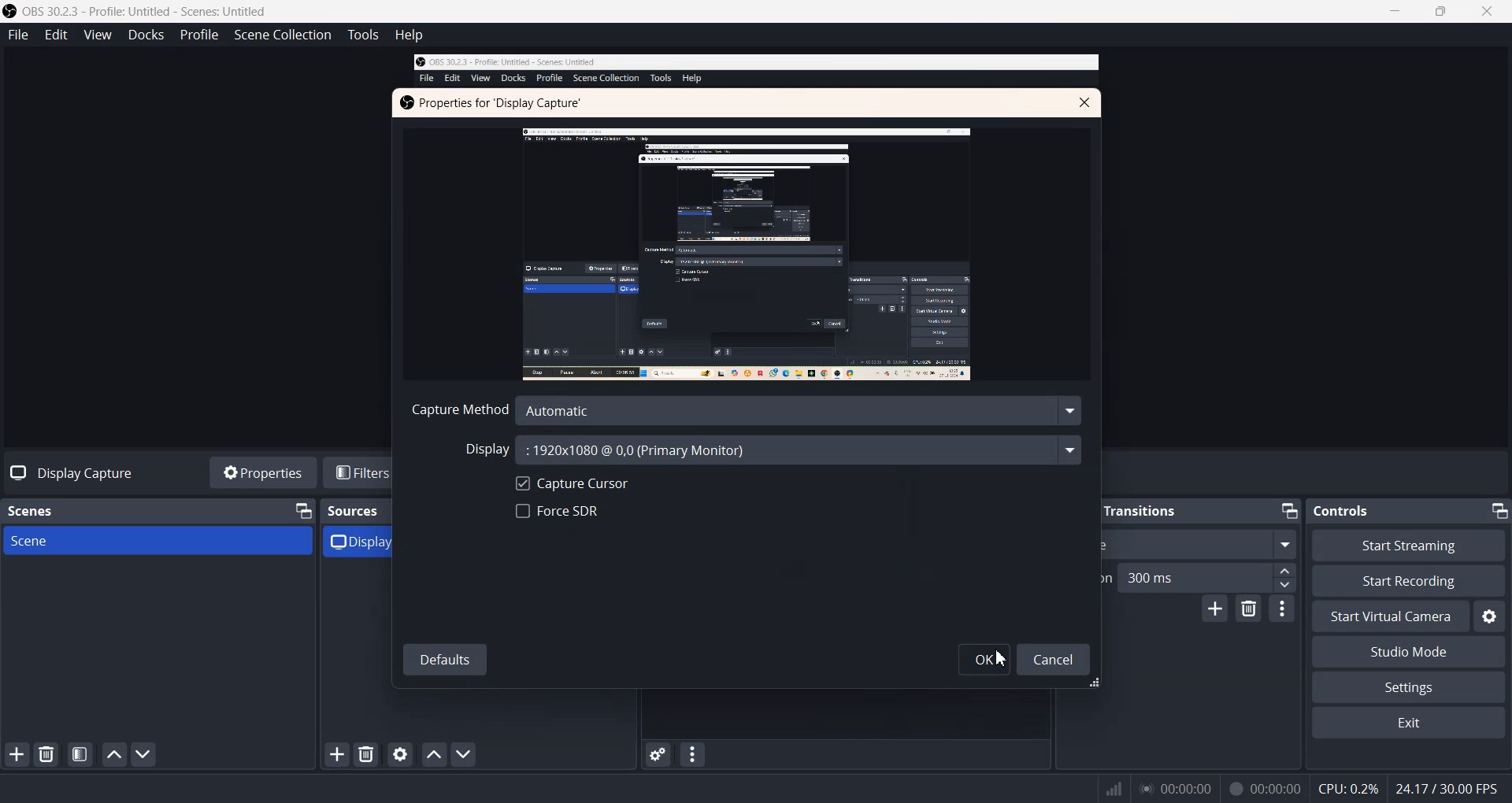  I want to click on Capture Cursor, so click(571, 482).